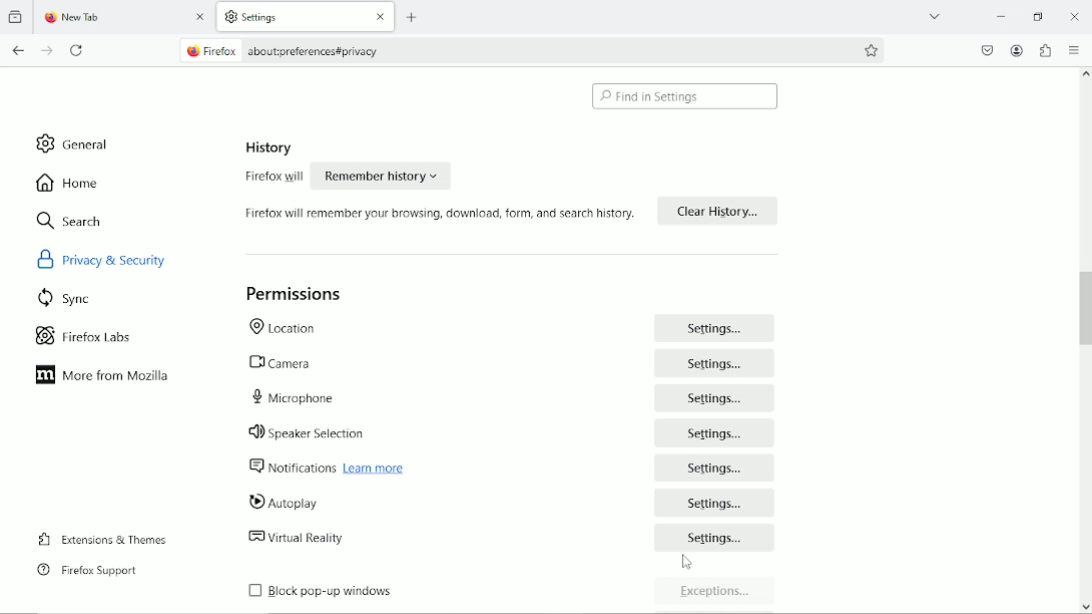 This screenshot has width=1092, height=614. What do you see at coordinates (191, 52) in the screenshot?
I see `firefox logo` at bounding box center [191, 52].